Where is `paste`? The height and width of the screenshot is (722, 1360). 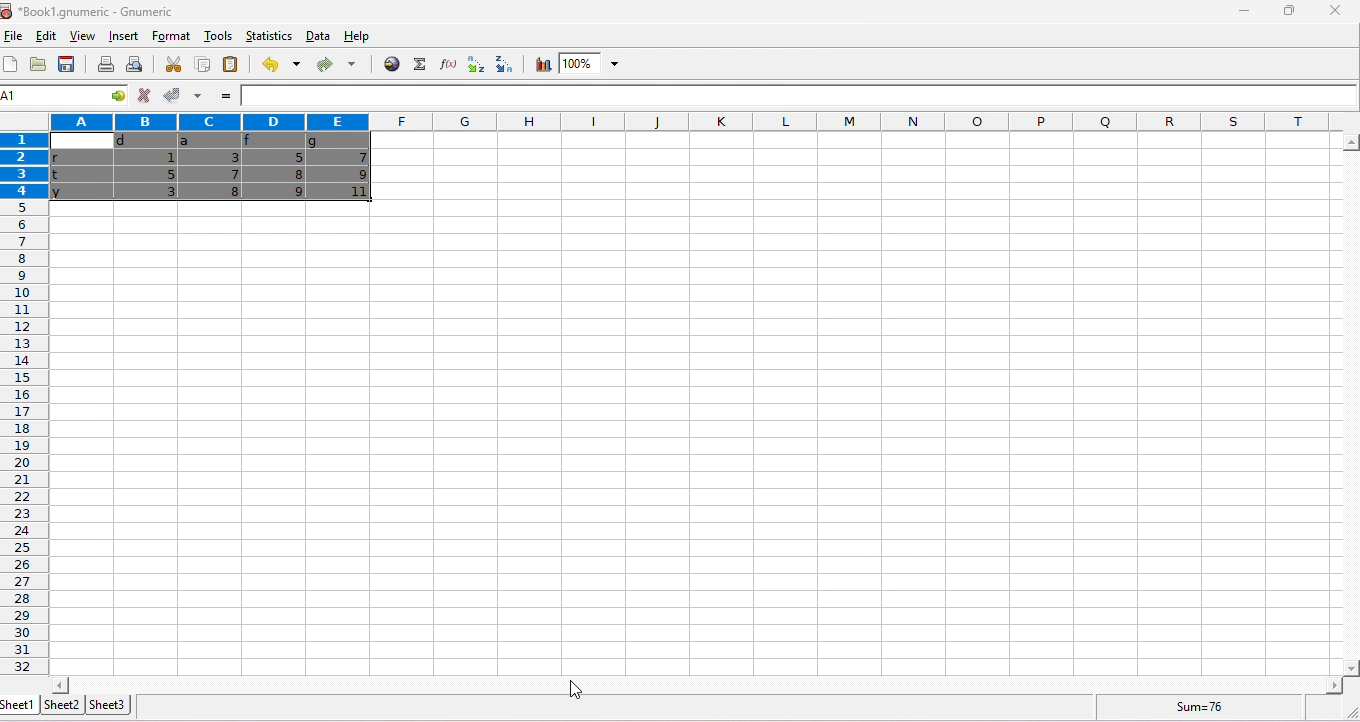
paste is located at coordinates (232, 66).